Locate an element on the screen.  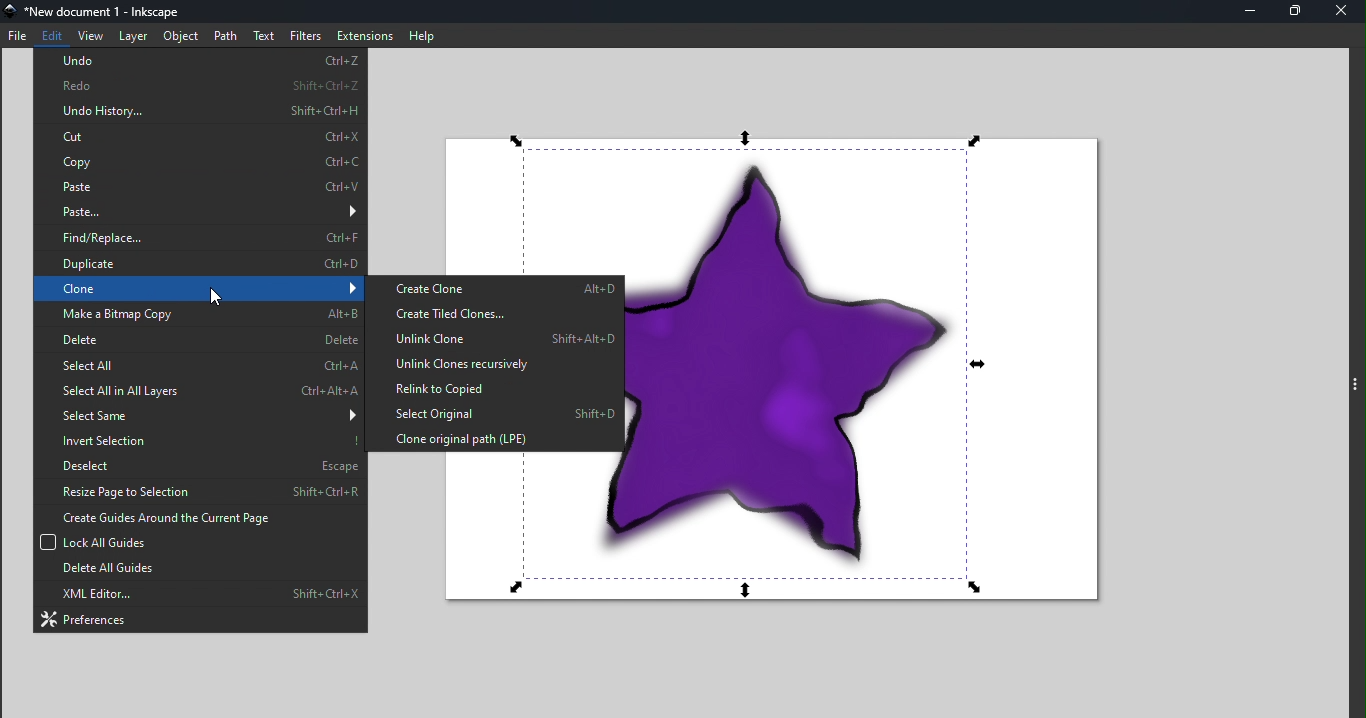
Resize page to selection is located at coordinates (199, 491).